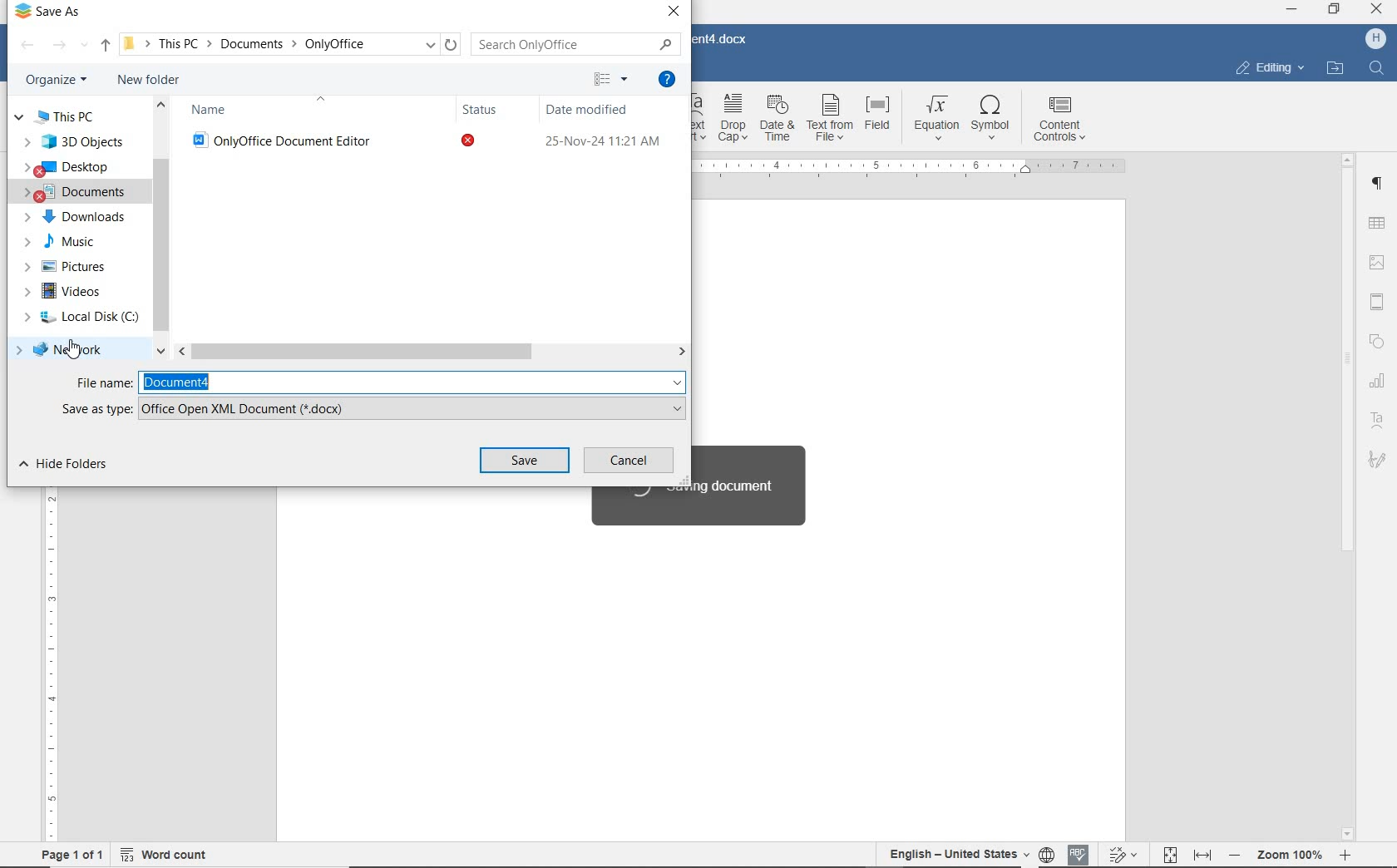  I want to click on insert table, so click(1378, 223).